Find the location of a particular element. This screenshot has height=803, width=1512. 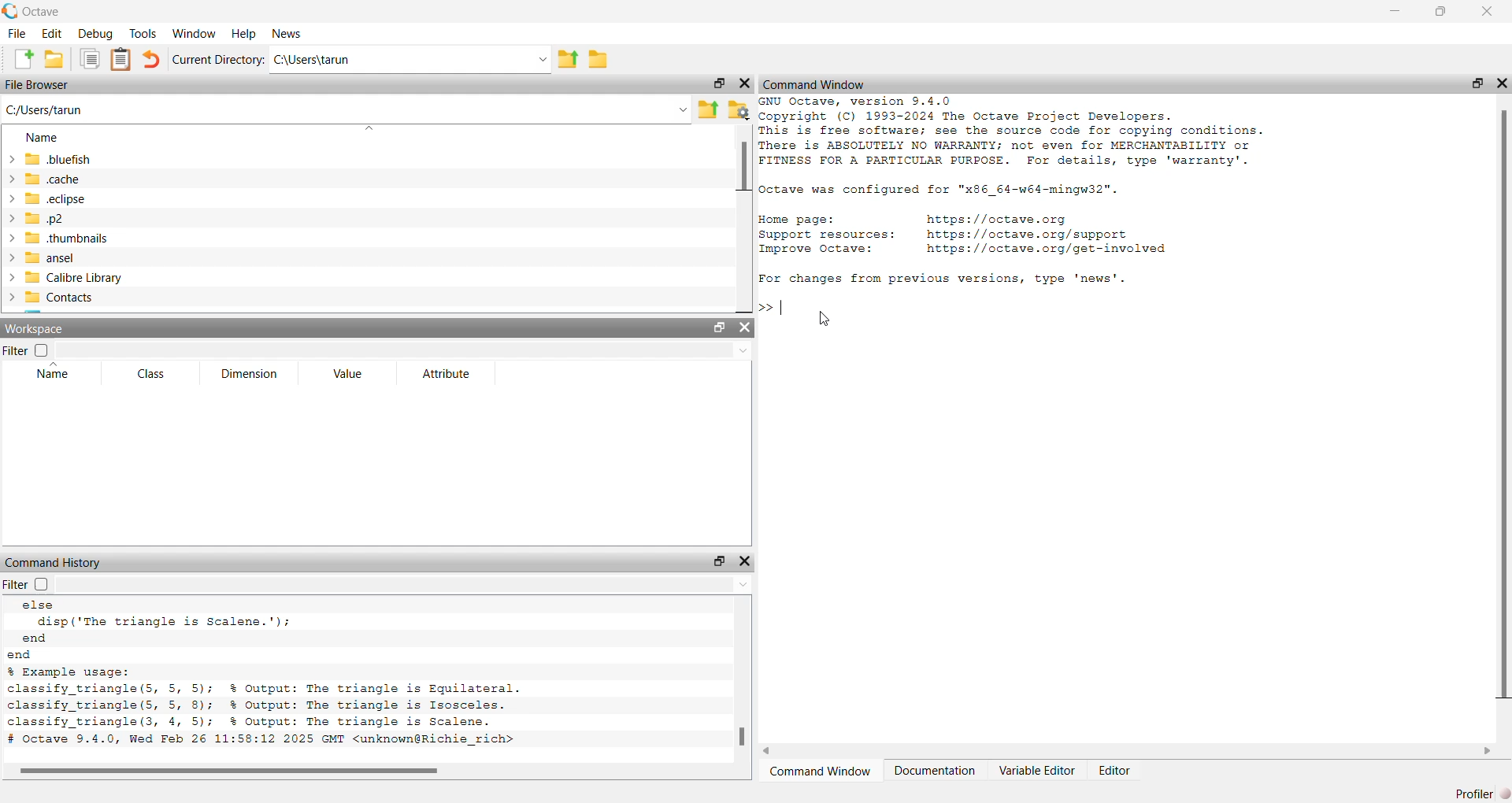

maximize is located at coordinates (1444, 11).